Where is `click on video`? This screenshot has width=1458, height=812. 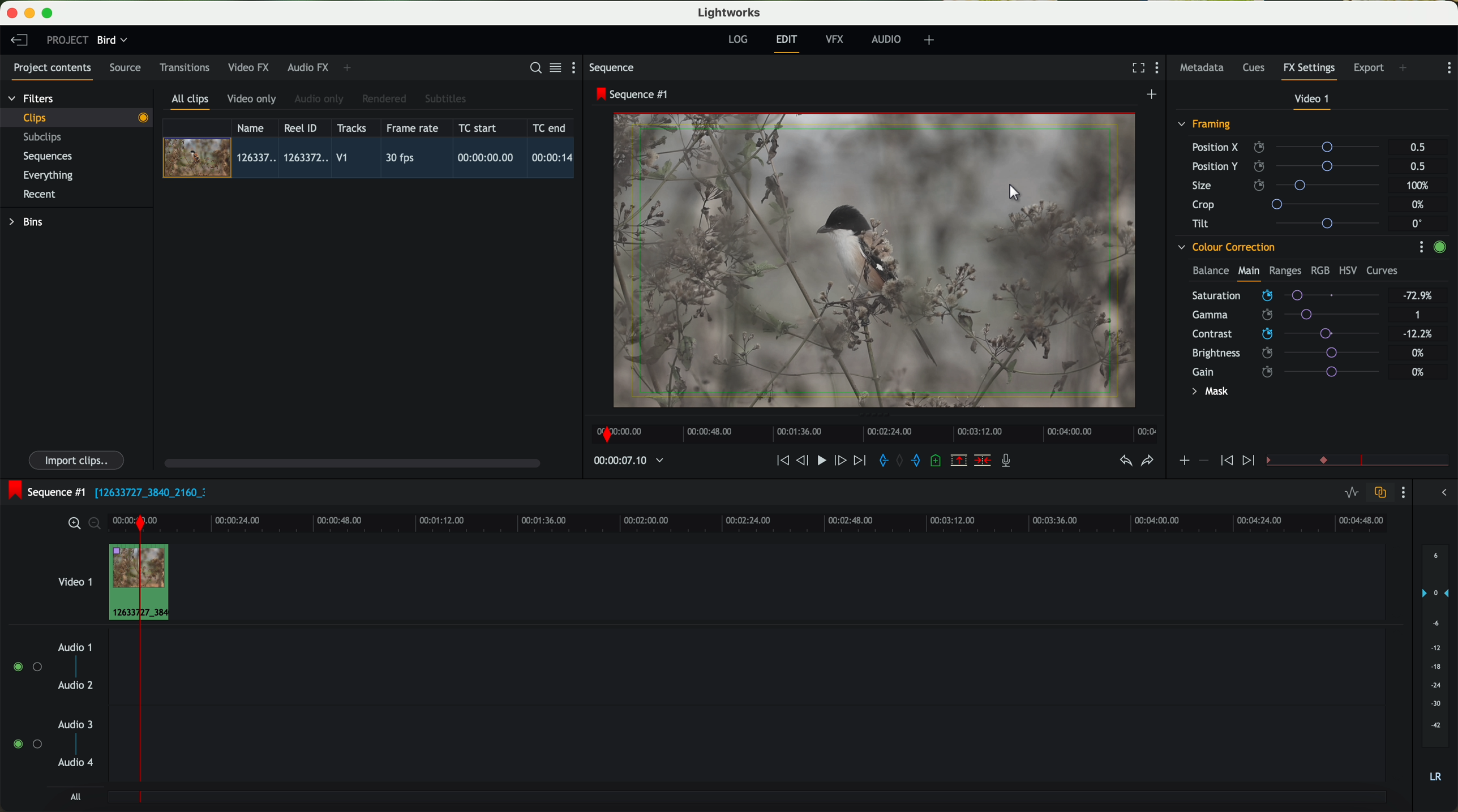 click on video is located at coordinates (372, 160).